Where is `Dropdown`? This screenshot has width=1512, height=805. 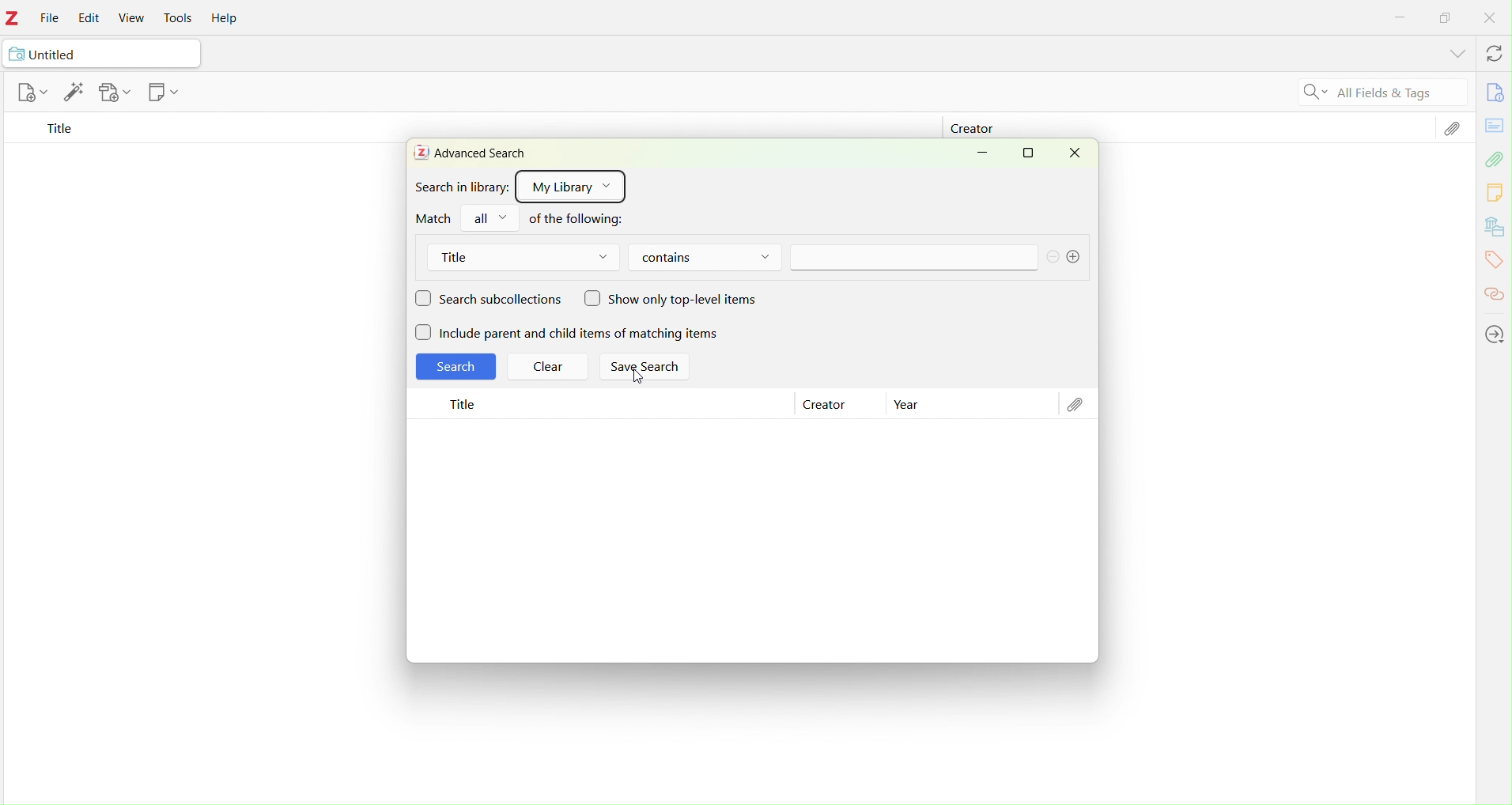
Dropdown is located at coordinates (490, 218).